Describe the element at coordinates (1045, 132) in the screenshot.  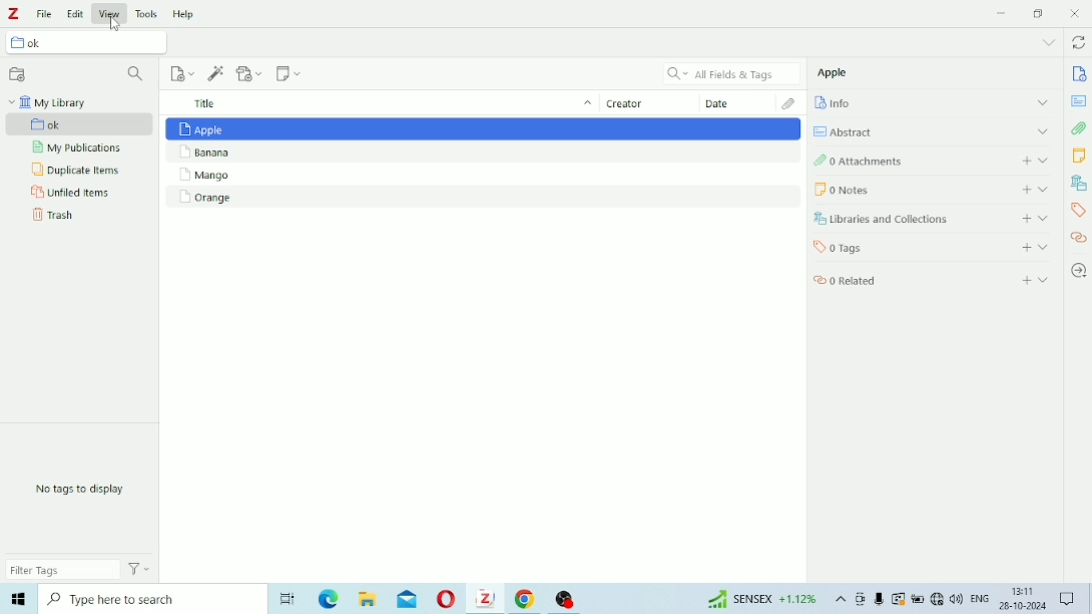
I see `expand` at that location.